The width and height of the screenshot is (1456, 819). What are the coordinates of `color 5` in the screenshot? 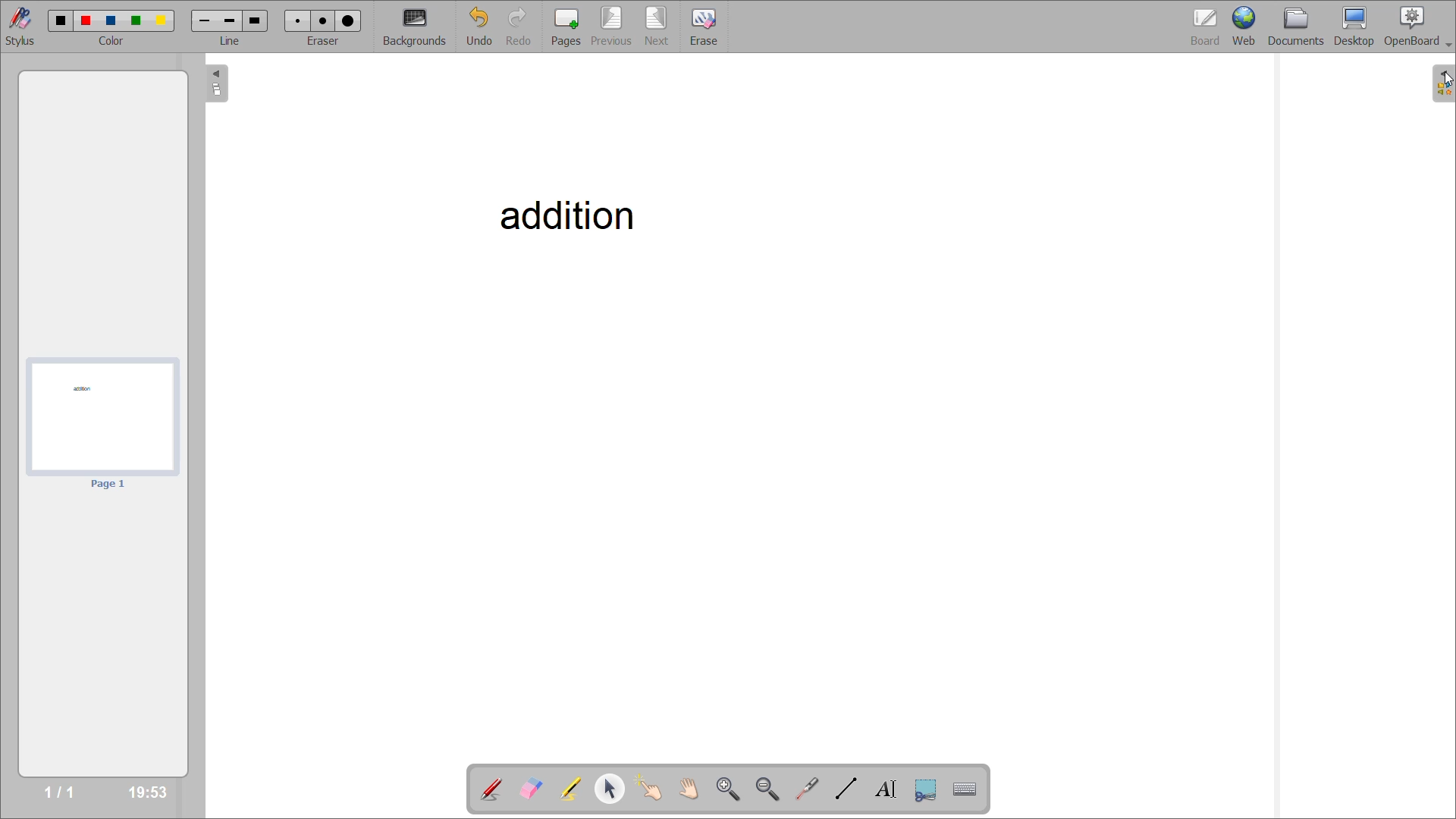 It's located at (162, 20).